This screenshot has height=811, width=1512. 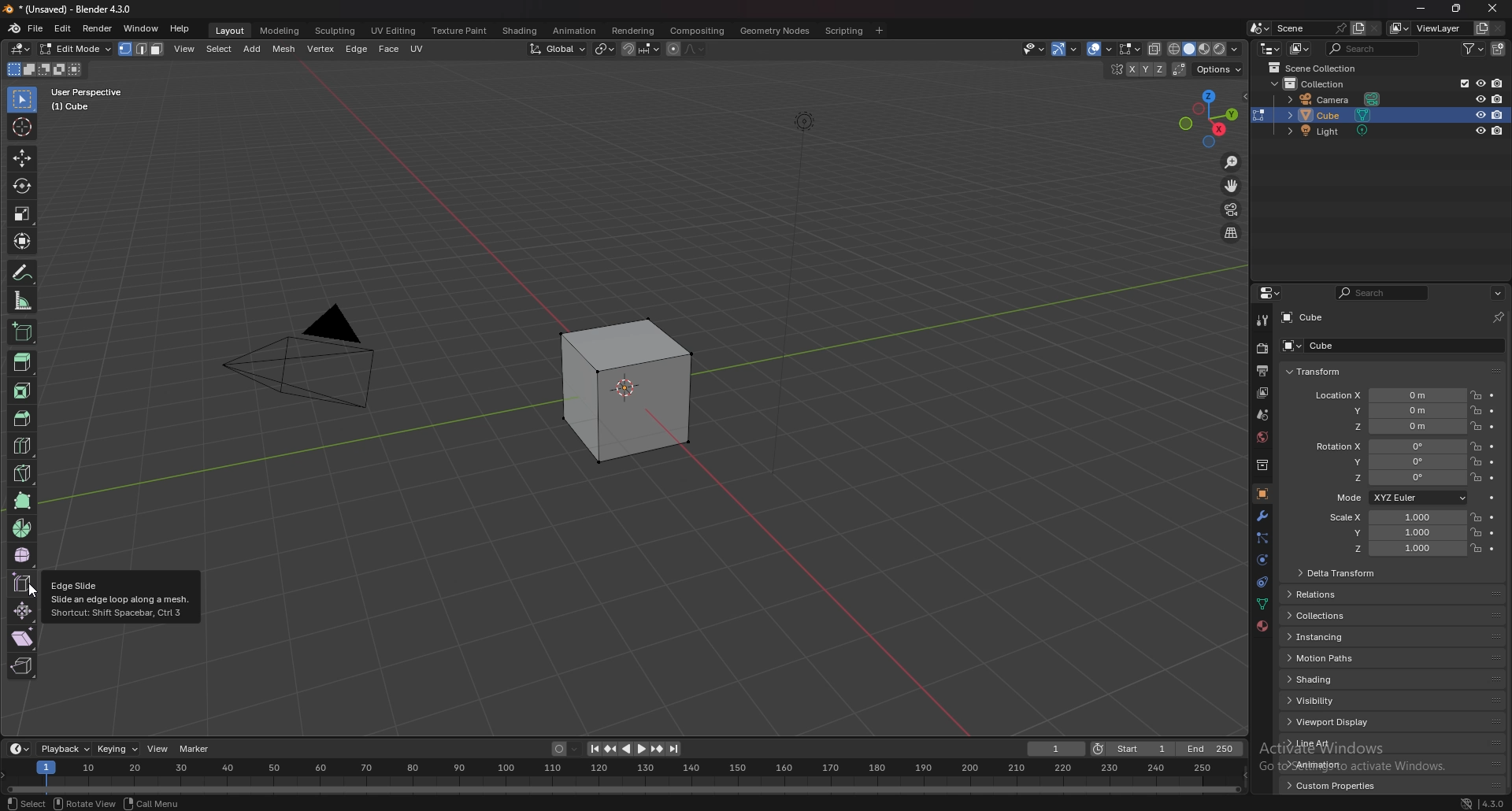 I want to click on scale x, so click(x=1394, y=517).